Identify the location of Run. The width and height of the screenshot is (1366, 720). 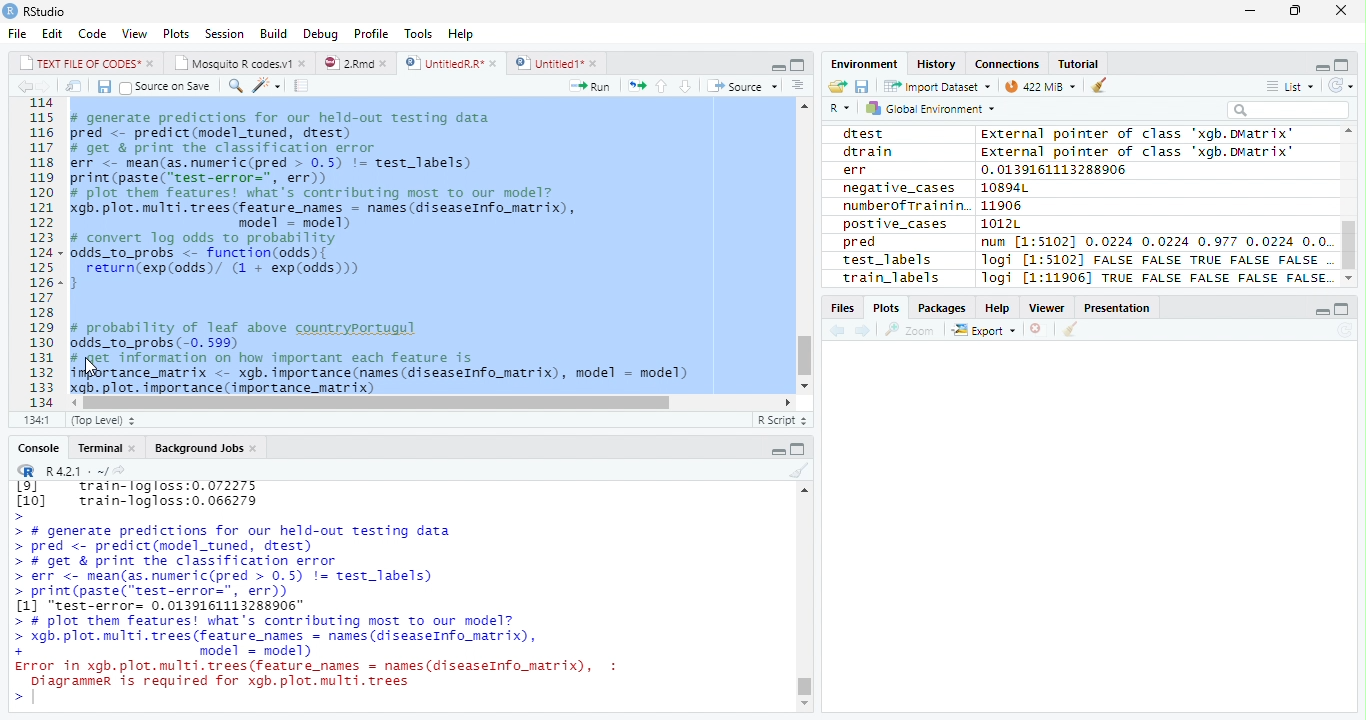
(591, 85).